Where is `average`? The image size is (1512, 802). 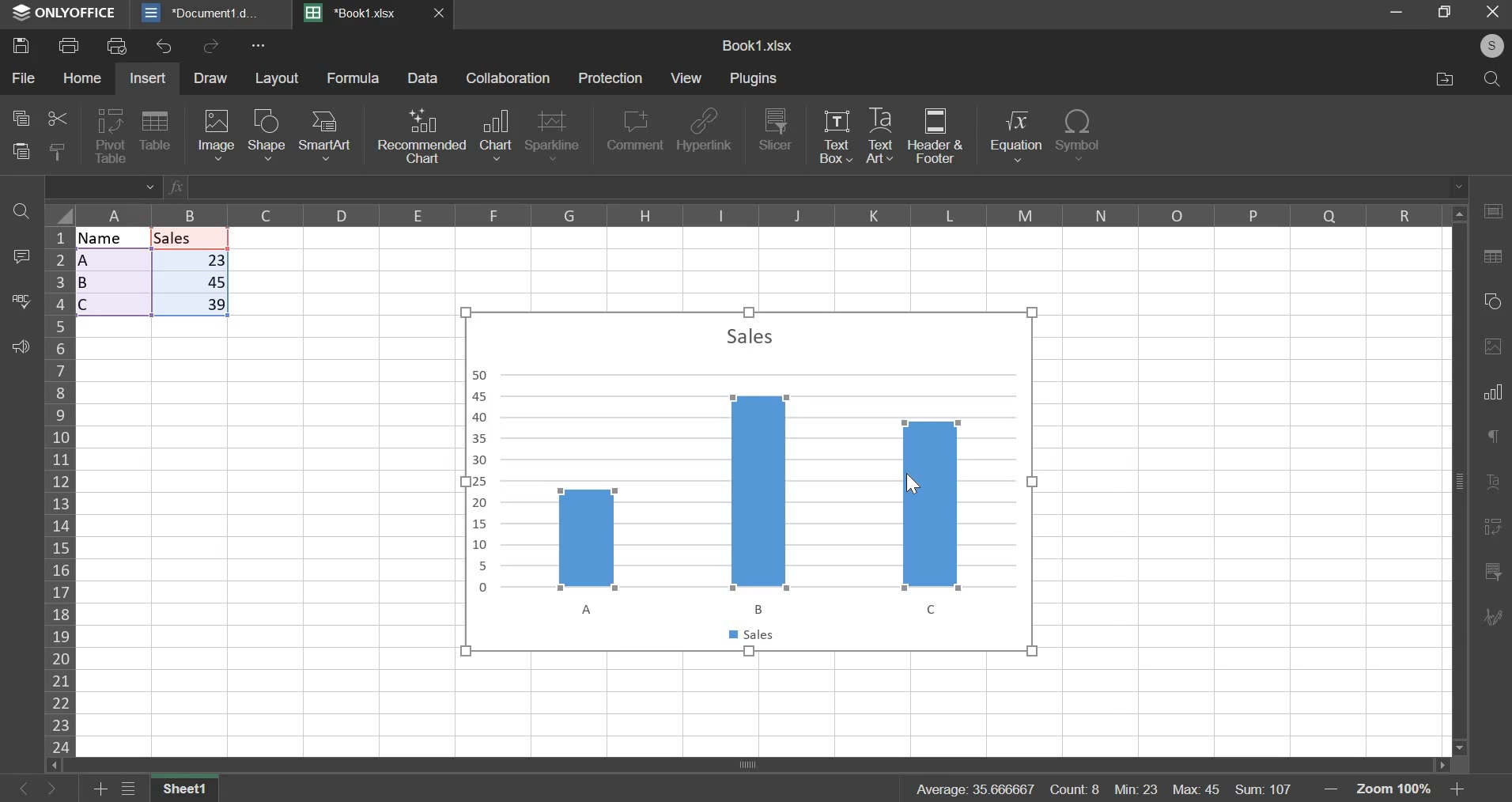
average is located at coordinates (977, 786).